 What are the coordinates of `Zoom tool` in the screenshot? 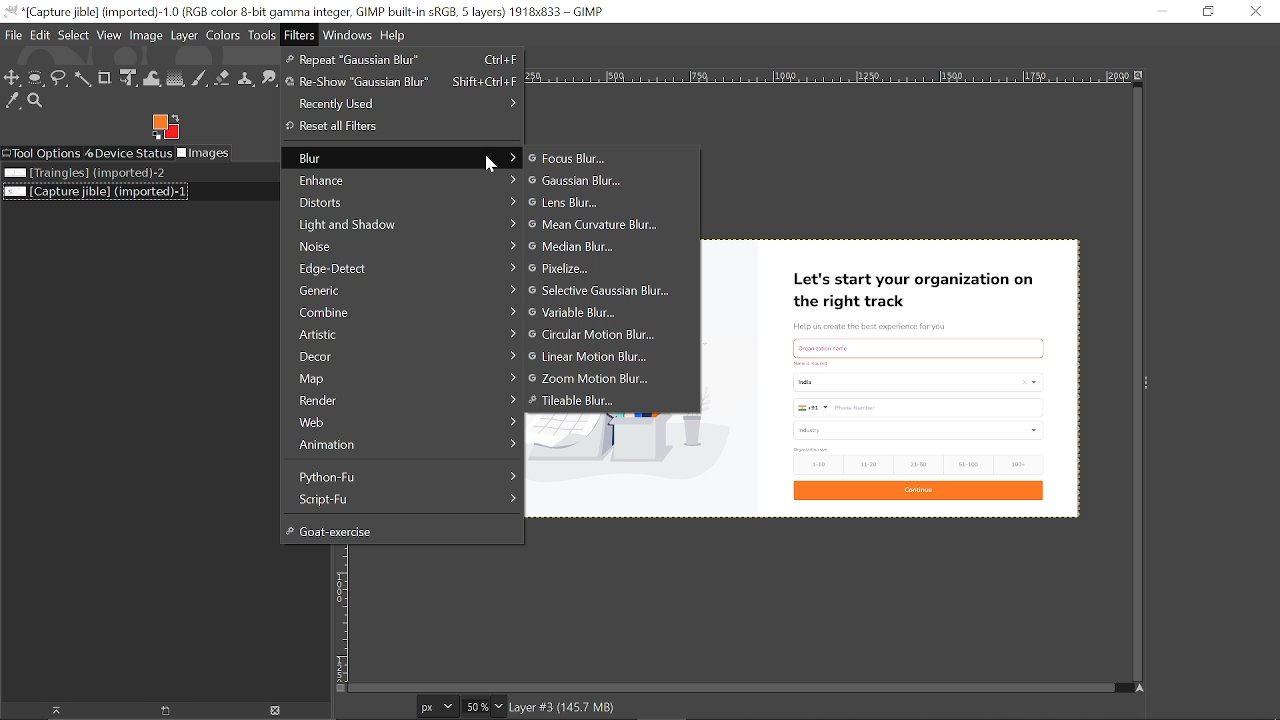 It's located at (36, 101).